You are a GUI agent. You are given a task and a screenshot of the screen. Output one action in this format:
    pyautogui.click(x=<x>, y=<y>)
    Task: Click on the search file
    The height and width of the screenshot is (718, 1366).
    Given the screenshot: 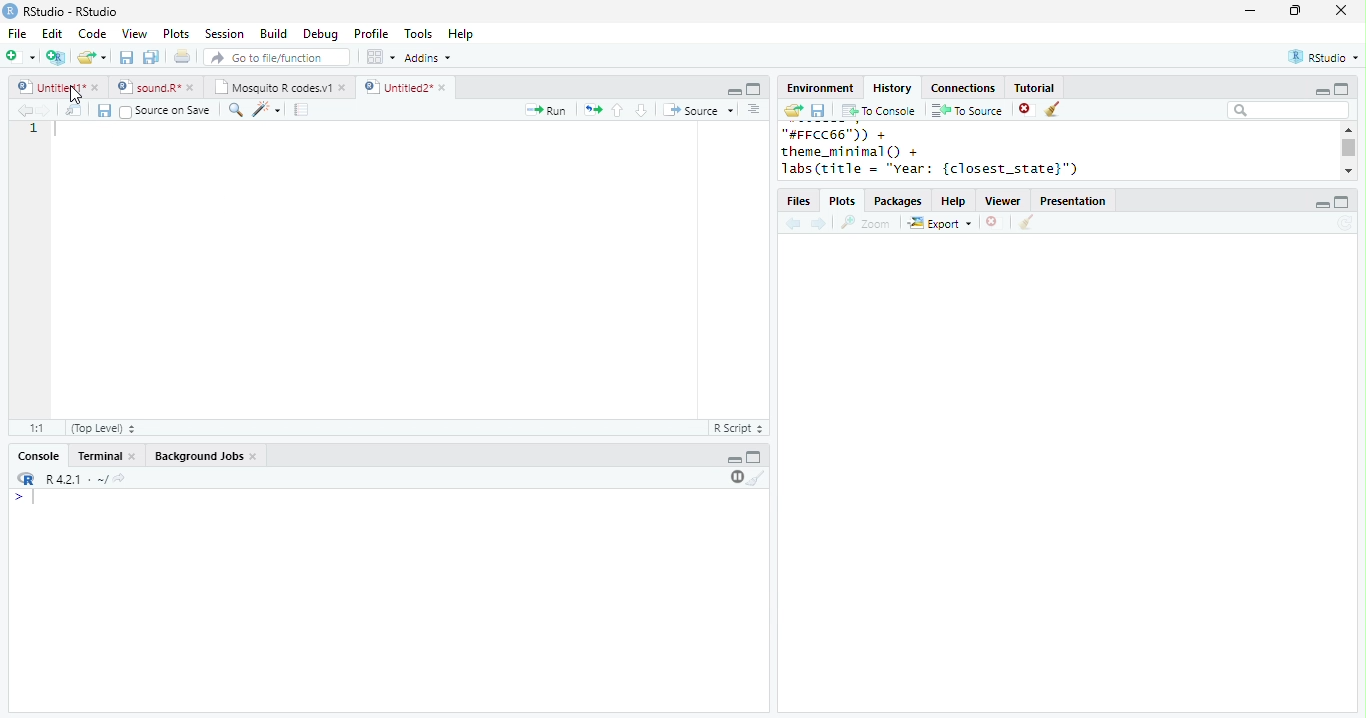 What is the action you would take?
    pyautogui.click(x=278, y=57)
    